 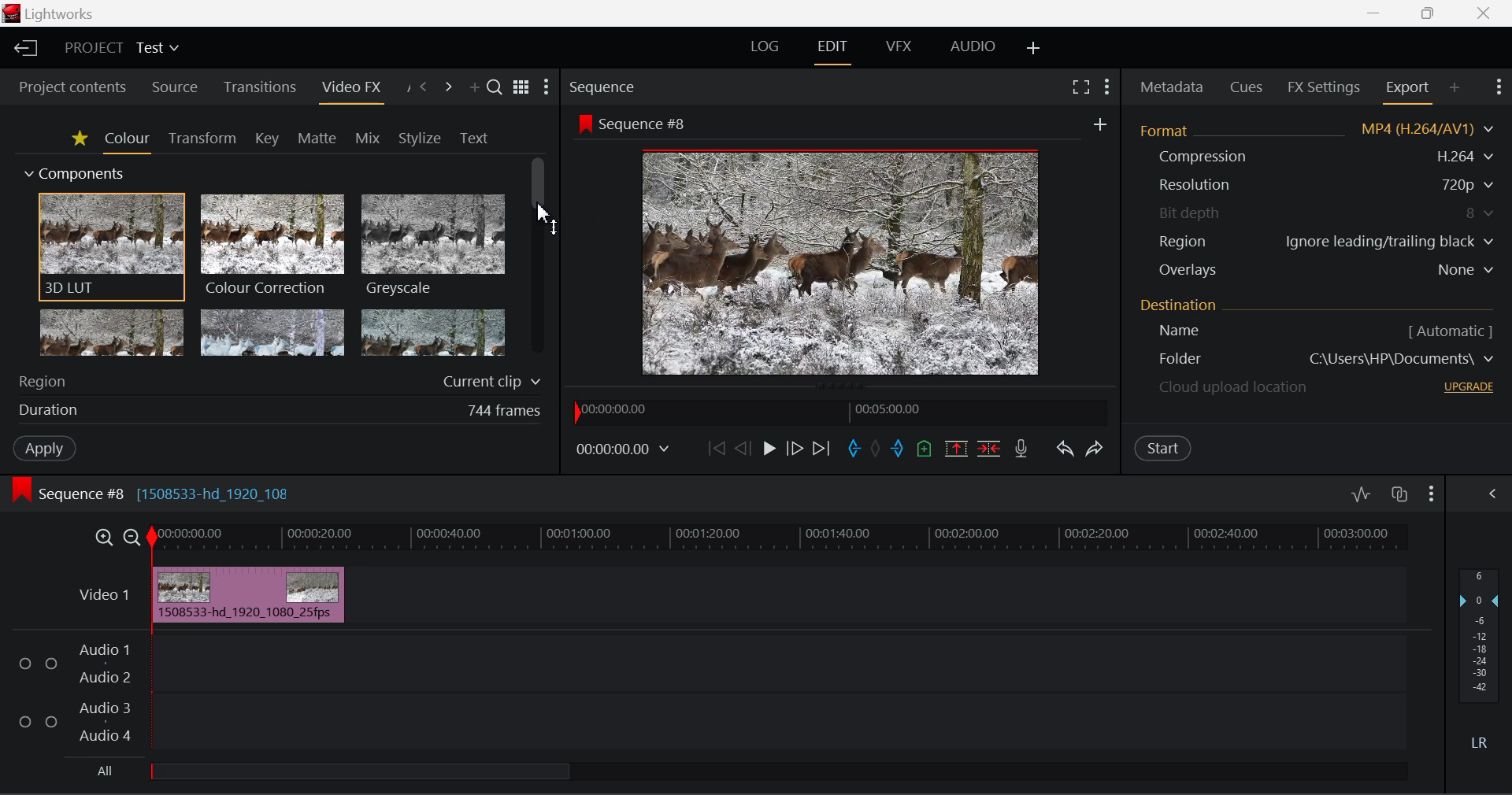 I want to click on Show Settings, so click(x=547, y=87).